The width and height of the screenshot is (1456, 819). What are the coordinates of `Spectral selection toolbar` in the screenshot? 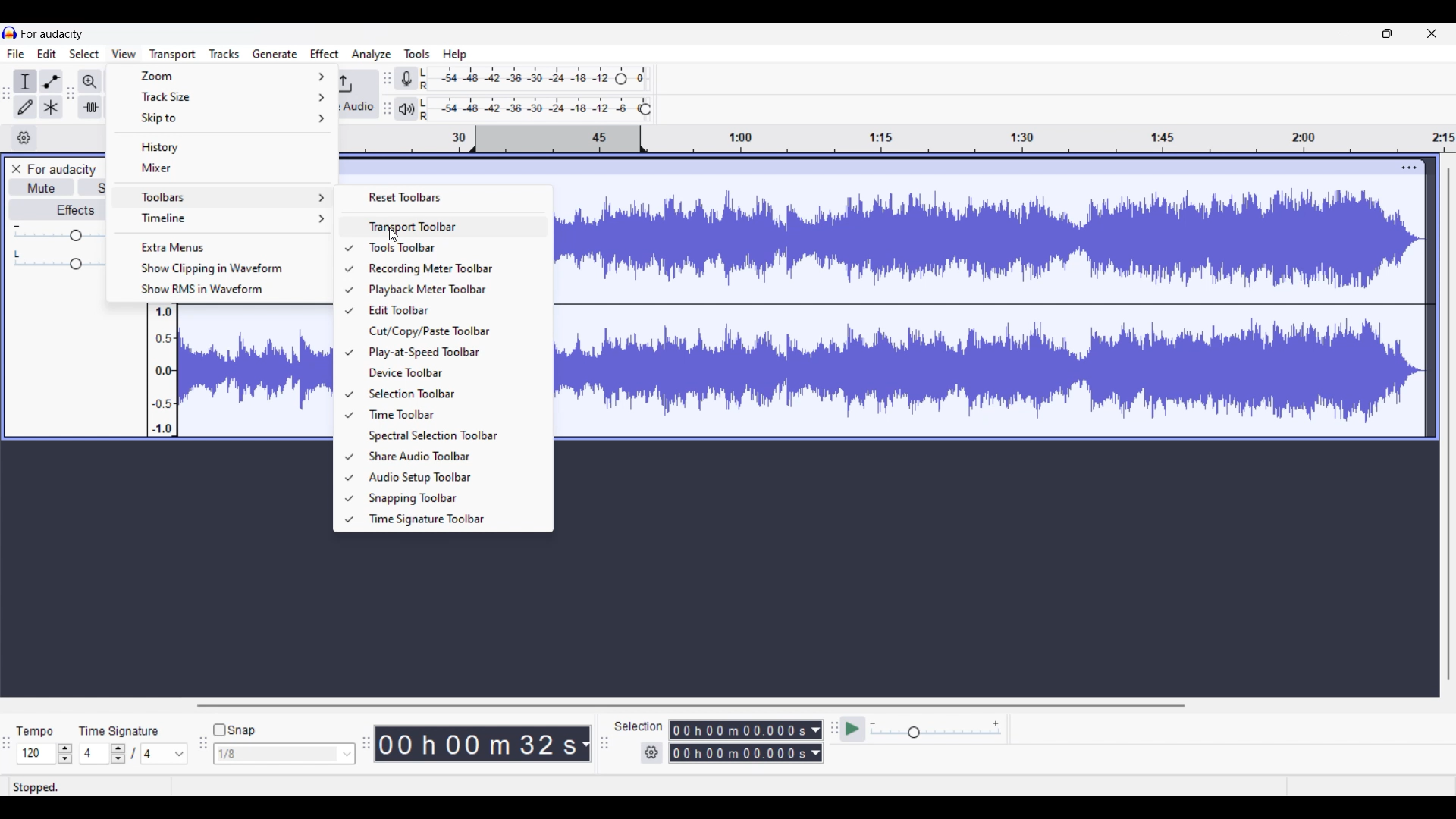 It's located at (452, 436).